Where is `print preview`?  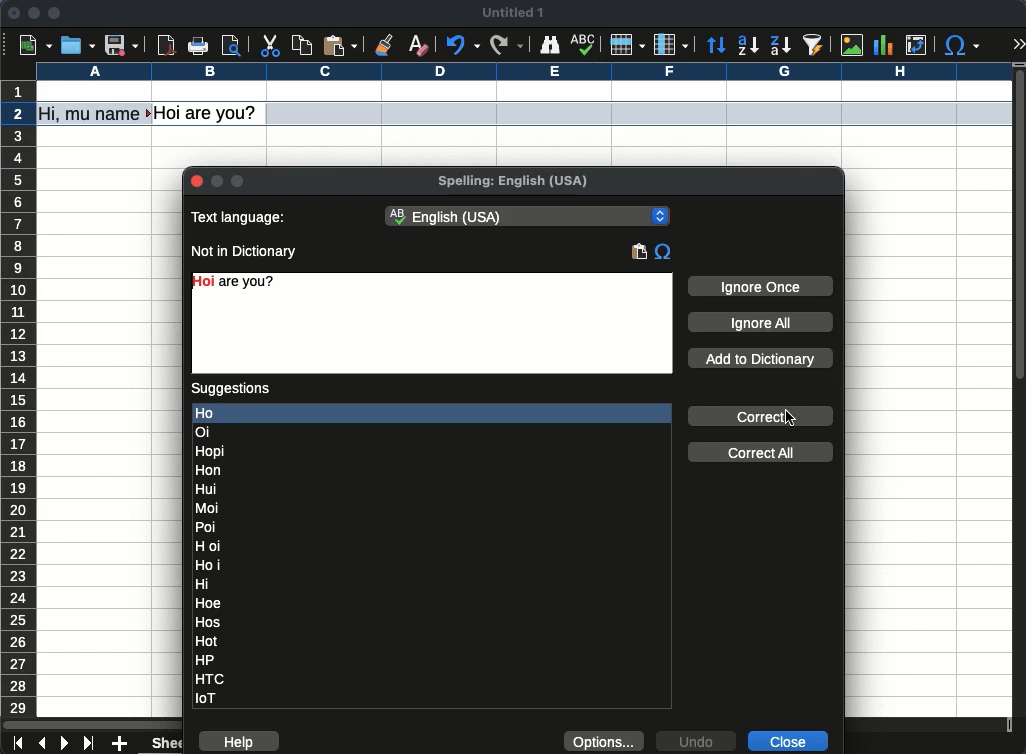
print preview is located at coordinates (233, 45).